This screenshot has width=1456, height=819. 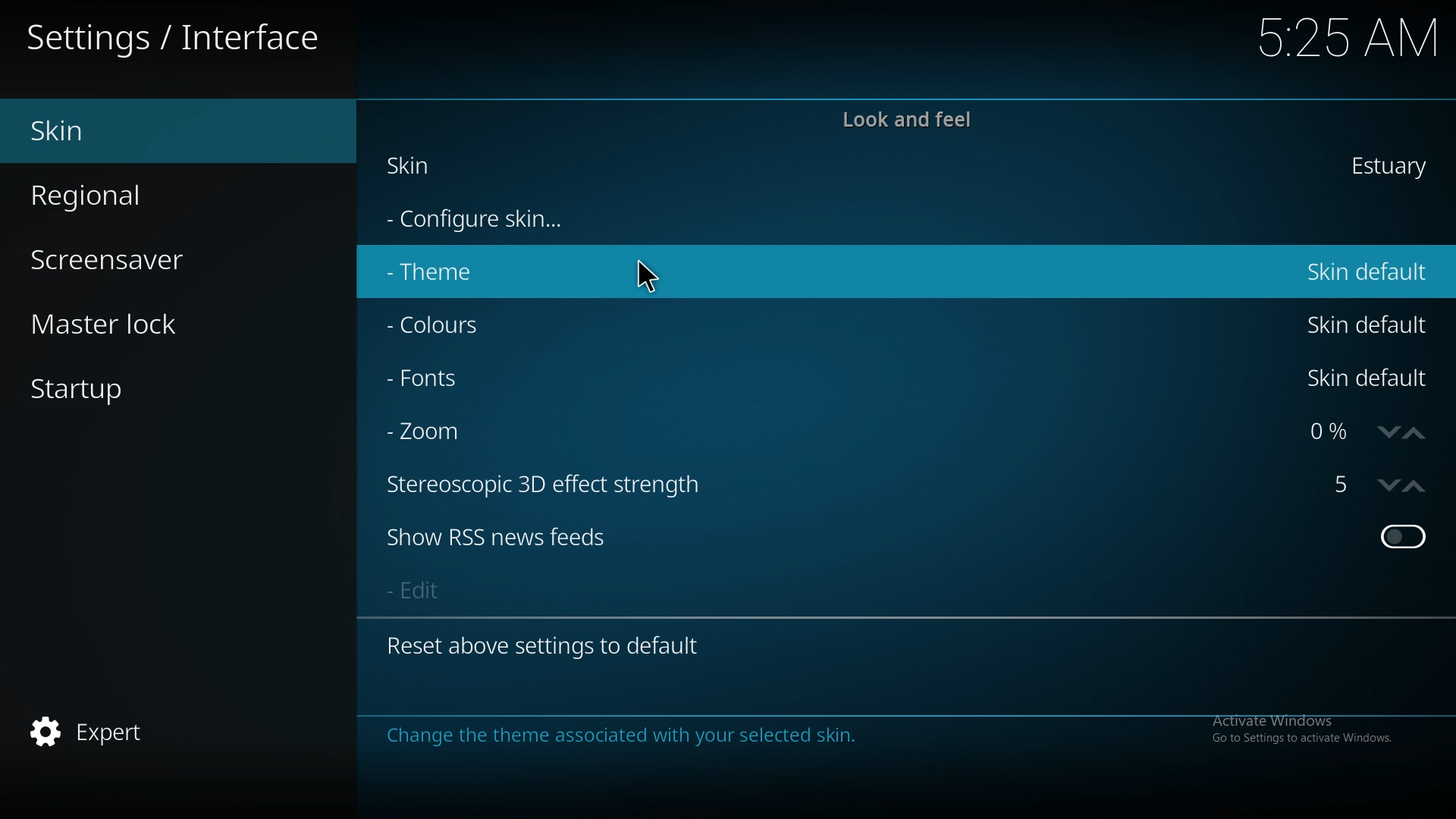 What do you see at coordinates (1389, 165) in the screenshot?
I see `estuary` at bounding box center [1389, 165].